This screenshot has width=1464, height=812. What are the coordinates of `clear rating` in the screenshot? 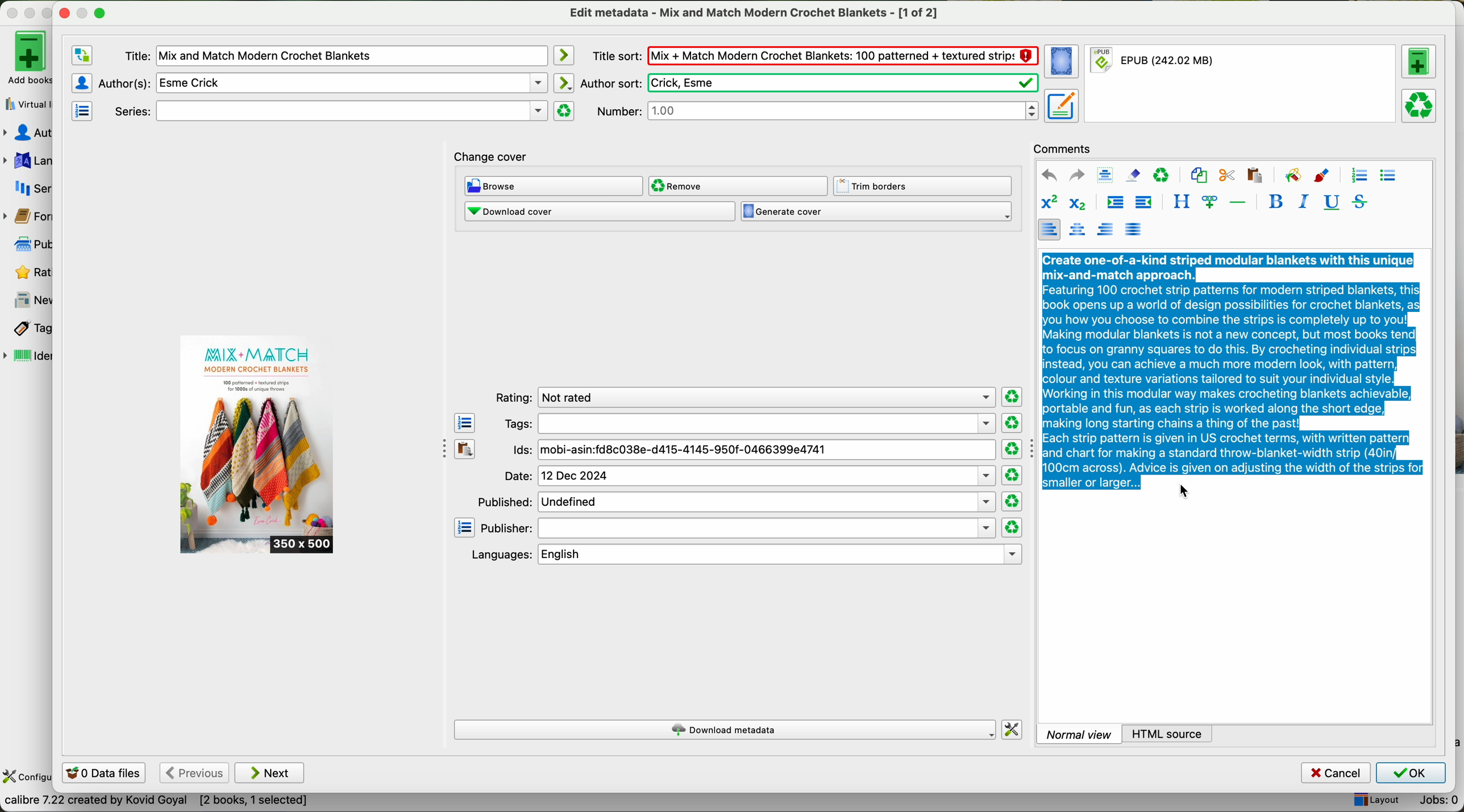 It's located at (1012, 476).